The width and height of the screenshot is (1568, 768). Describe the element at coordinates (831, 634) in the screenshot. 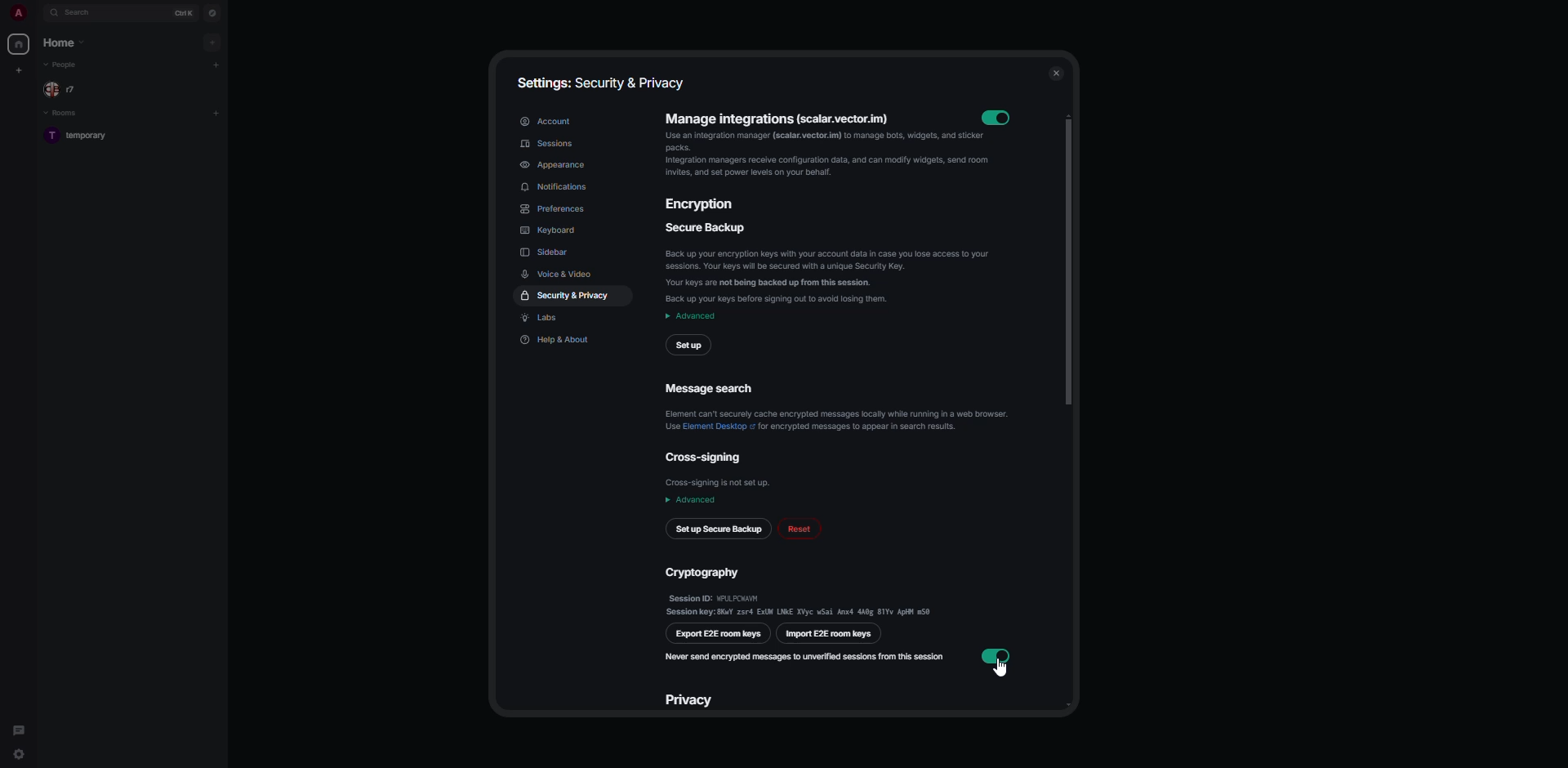

I see `import e2e room keys` at that location.